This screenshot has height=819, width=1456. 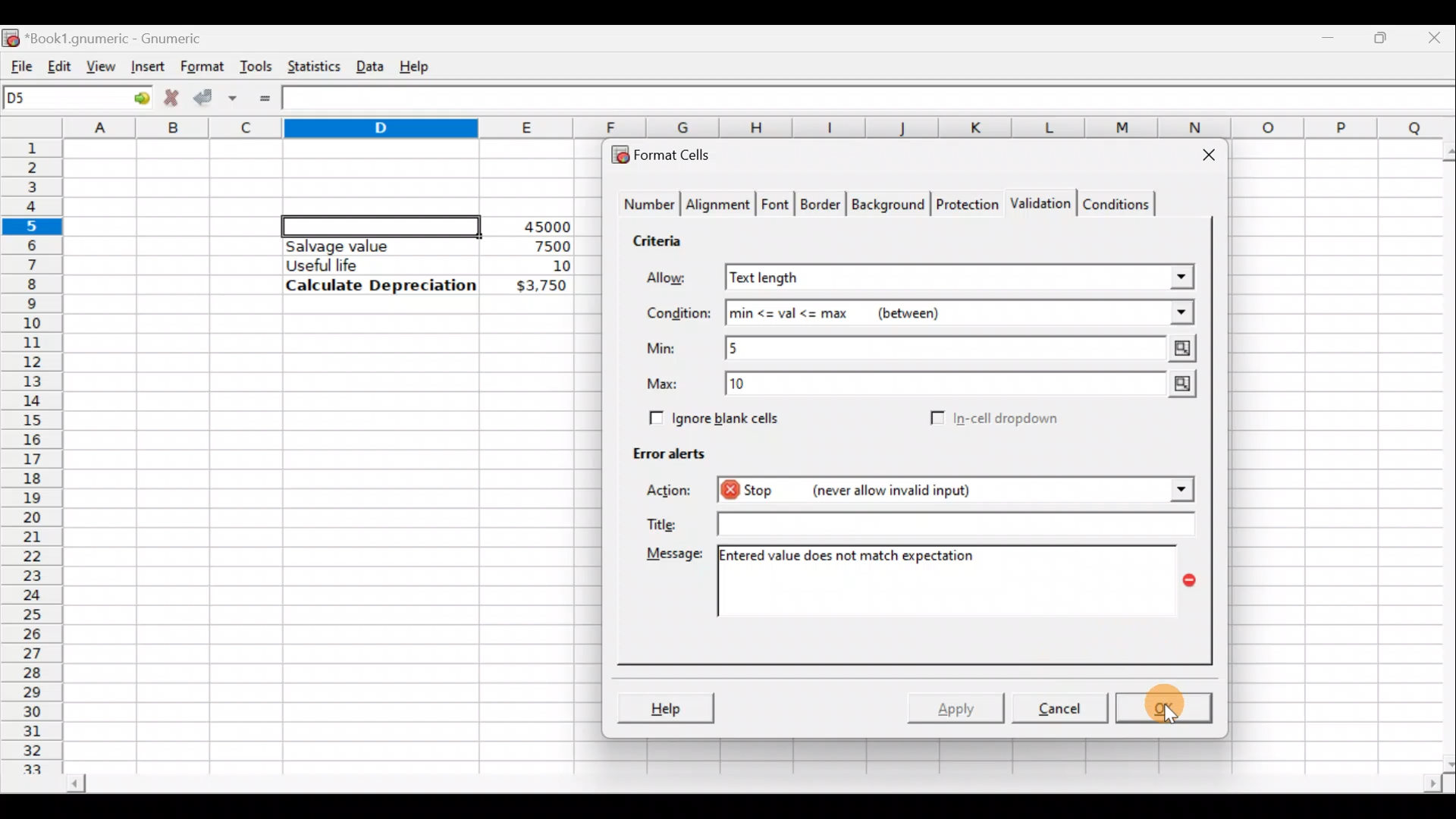 What do you see at coordinates (310, 65) in the screenshot?
I see `Statistics` at bounding box center [310, 65].